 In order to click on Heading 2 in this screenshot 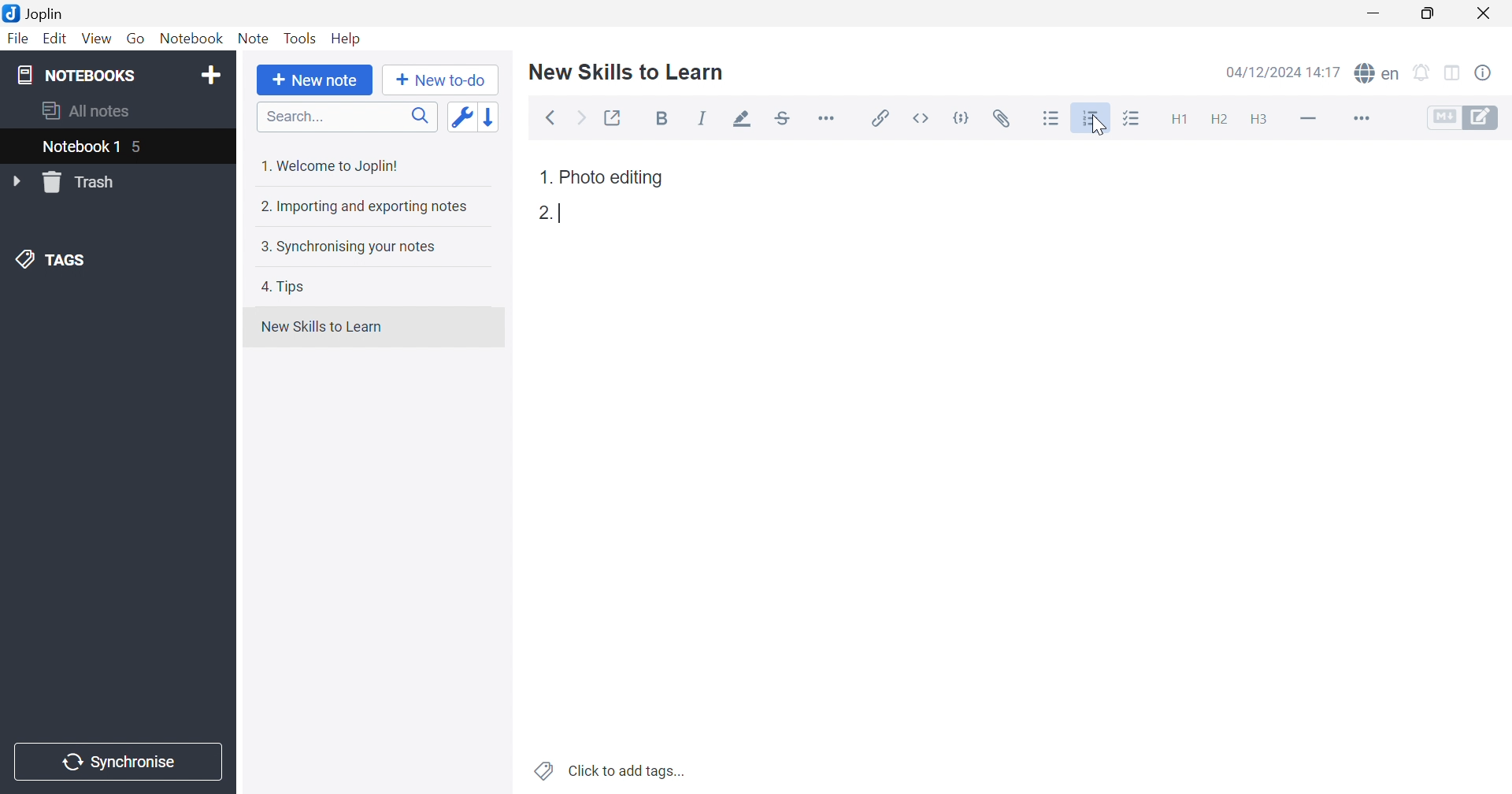, I will do `click(1219, 120)`.